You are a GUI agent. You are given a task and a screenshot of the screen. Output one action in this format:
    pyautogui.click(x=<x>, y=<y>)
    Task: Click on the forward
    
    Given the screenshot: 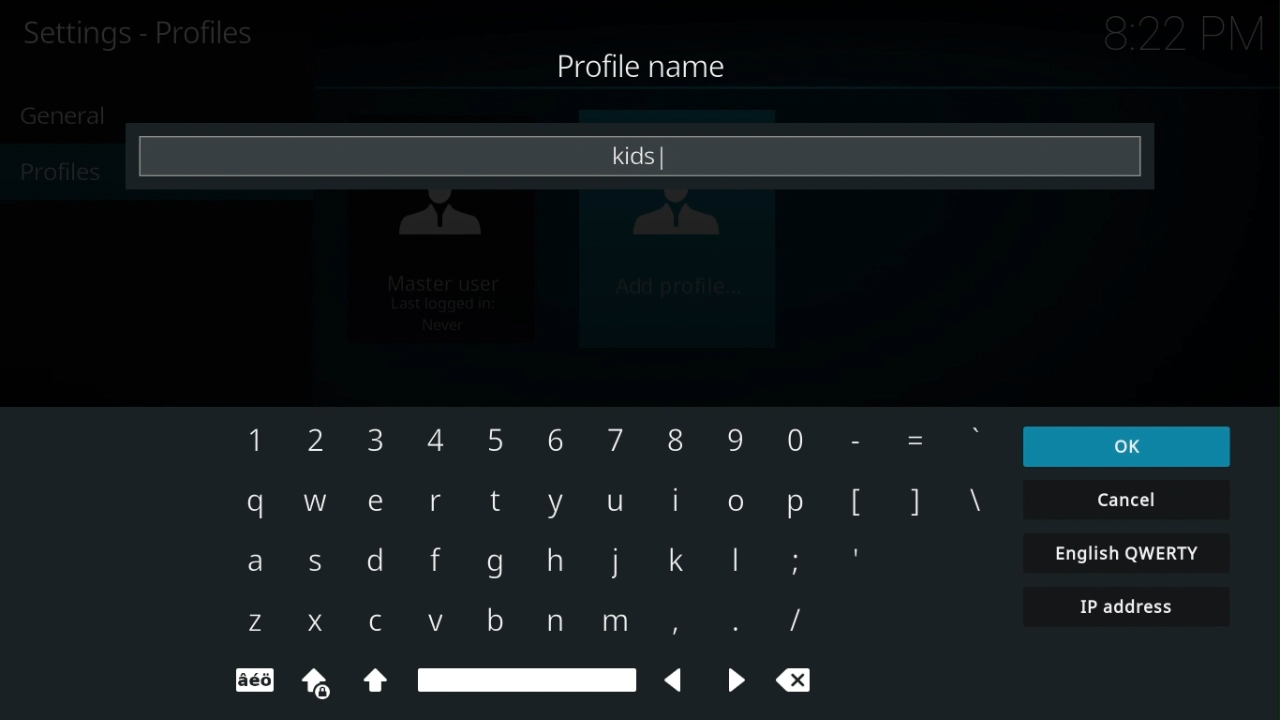 What is the action you would take?
    pyautogui.click(x=735, y=679)
    